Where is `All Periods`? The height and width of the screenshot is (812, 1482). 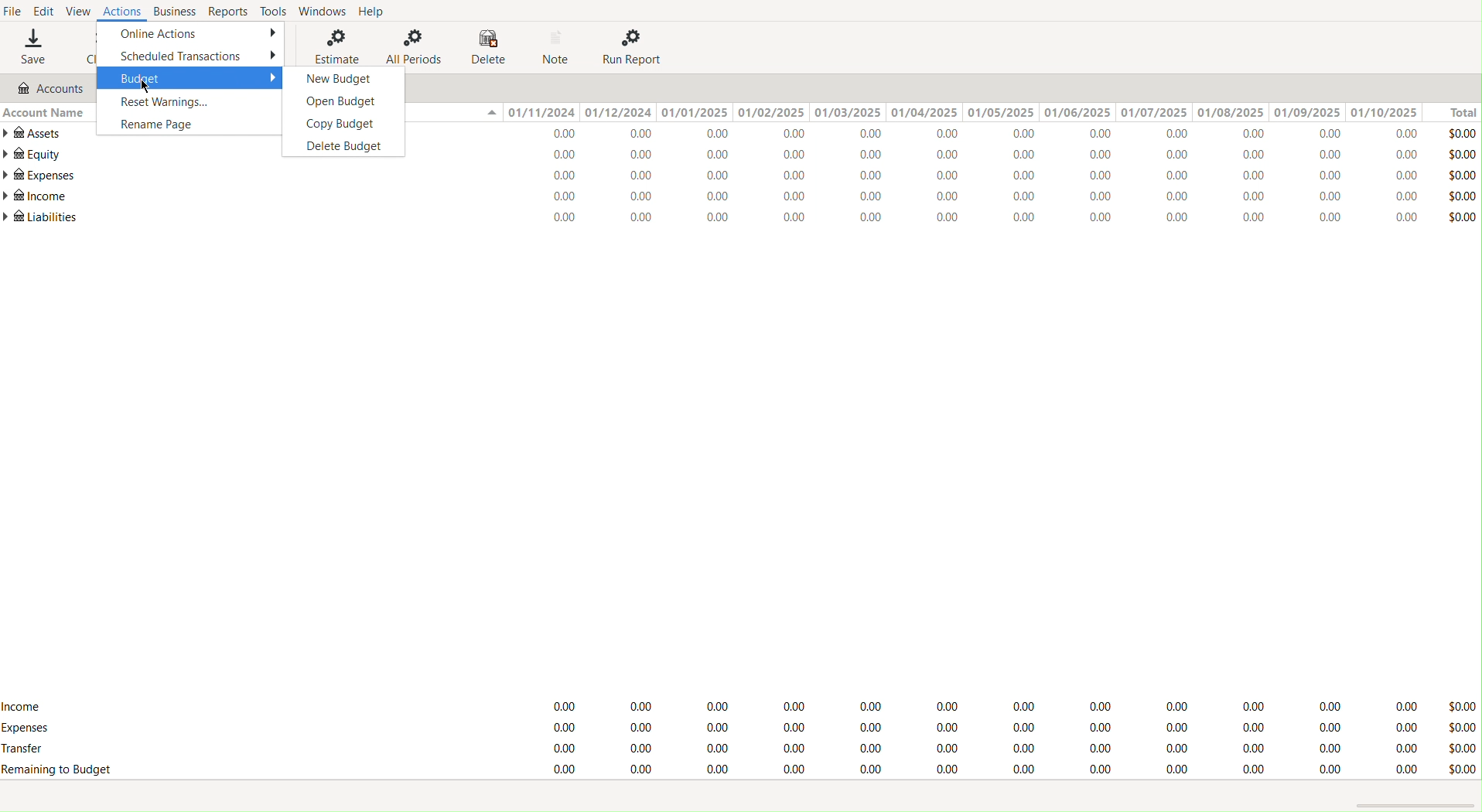
All Periods is located at coordinates (412, 44).